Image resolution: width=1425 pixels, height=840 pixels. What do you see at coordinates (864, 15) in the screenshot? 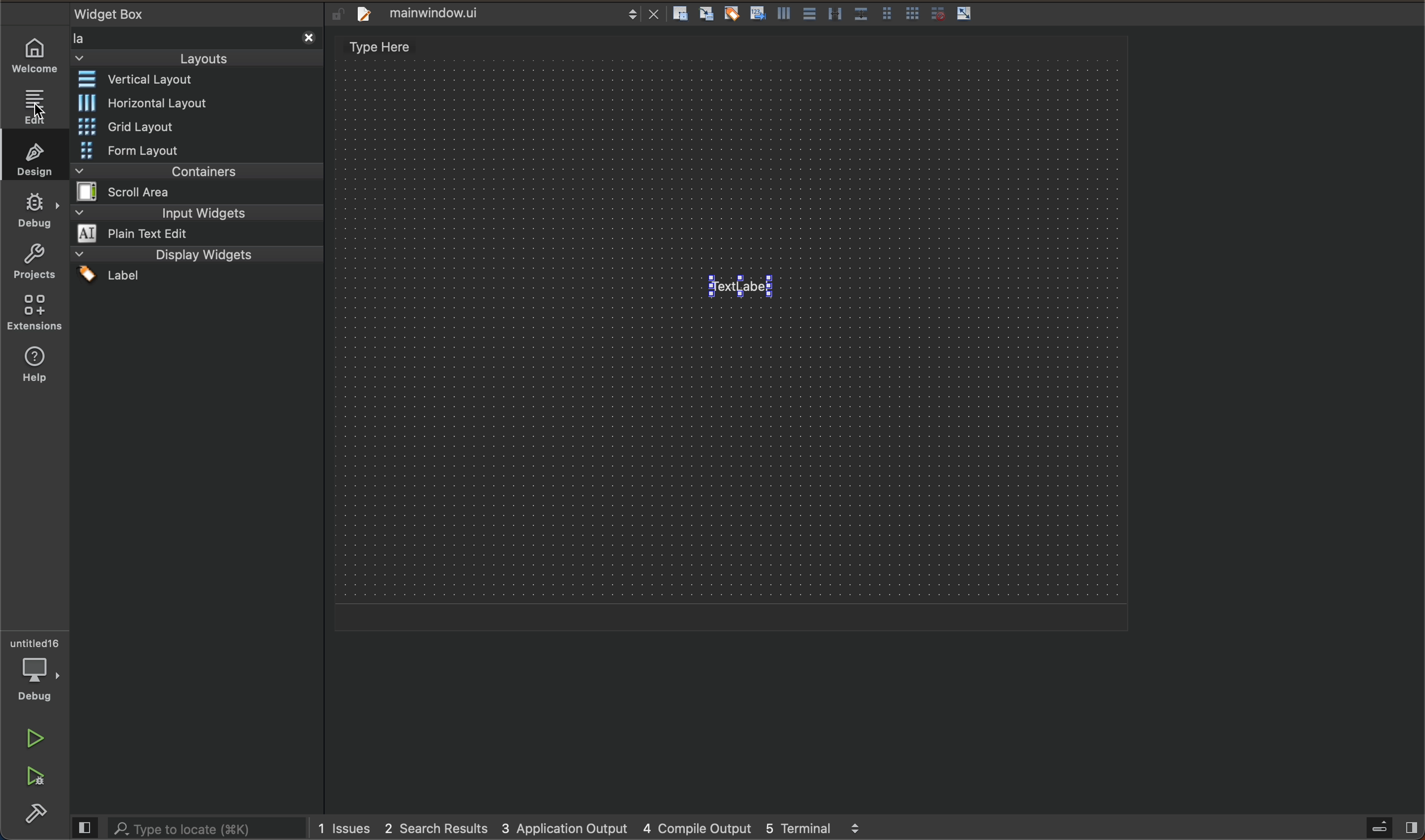
I see `Vertical splitter` at bounding box center [864, 15].